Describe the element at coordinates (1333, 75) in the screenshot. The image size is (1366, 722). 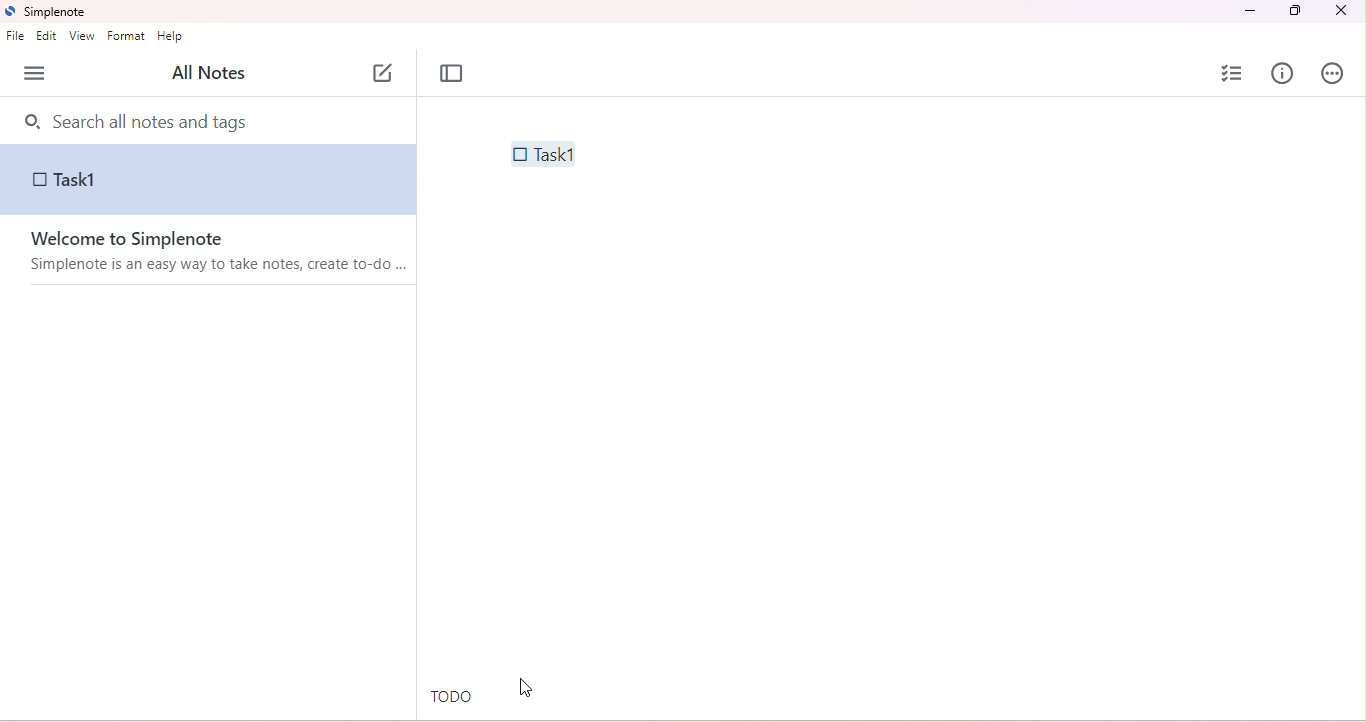
I see `actions` at that location.